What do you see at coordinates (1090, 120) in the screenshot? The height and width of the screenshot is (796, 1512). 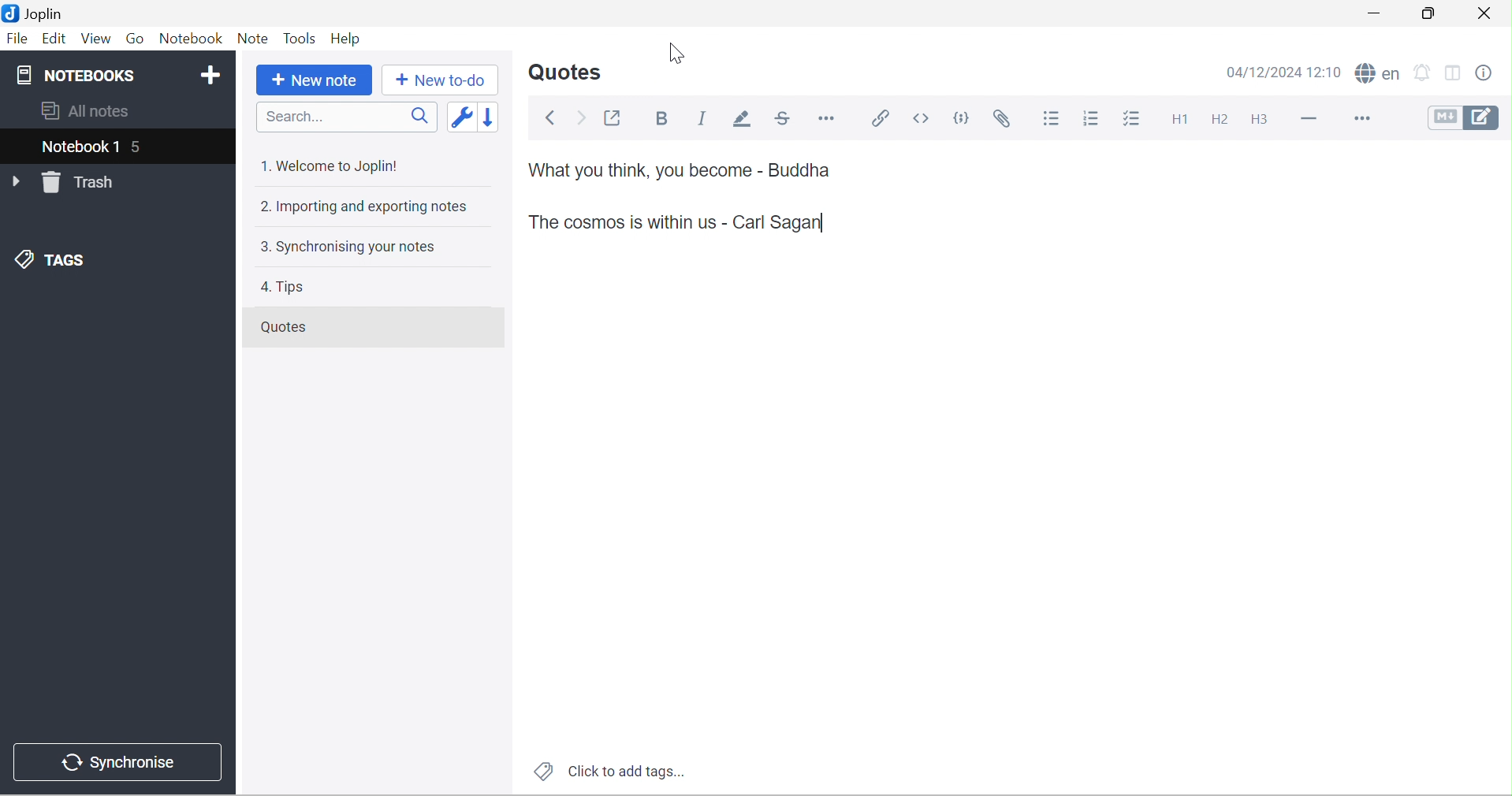 I see `Numbered list` at bounding box center [1090, 120].